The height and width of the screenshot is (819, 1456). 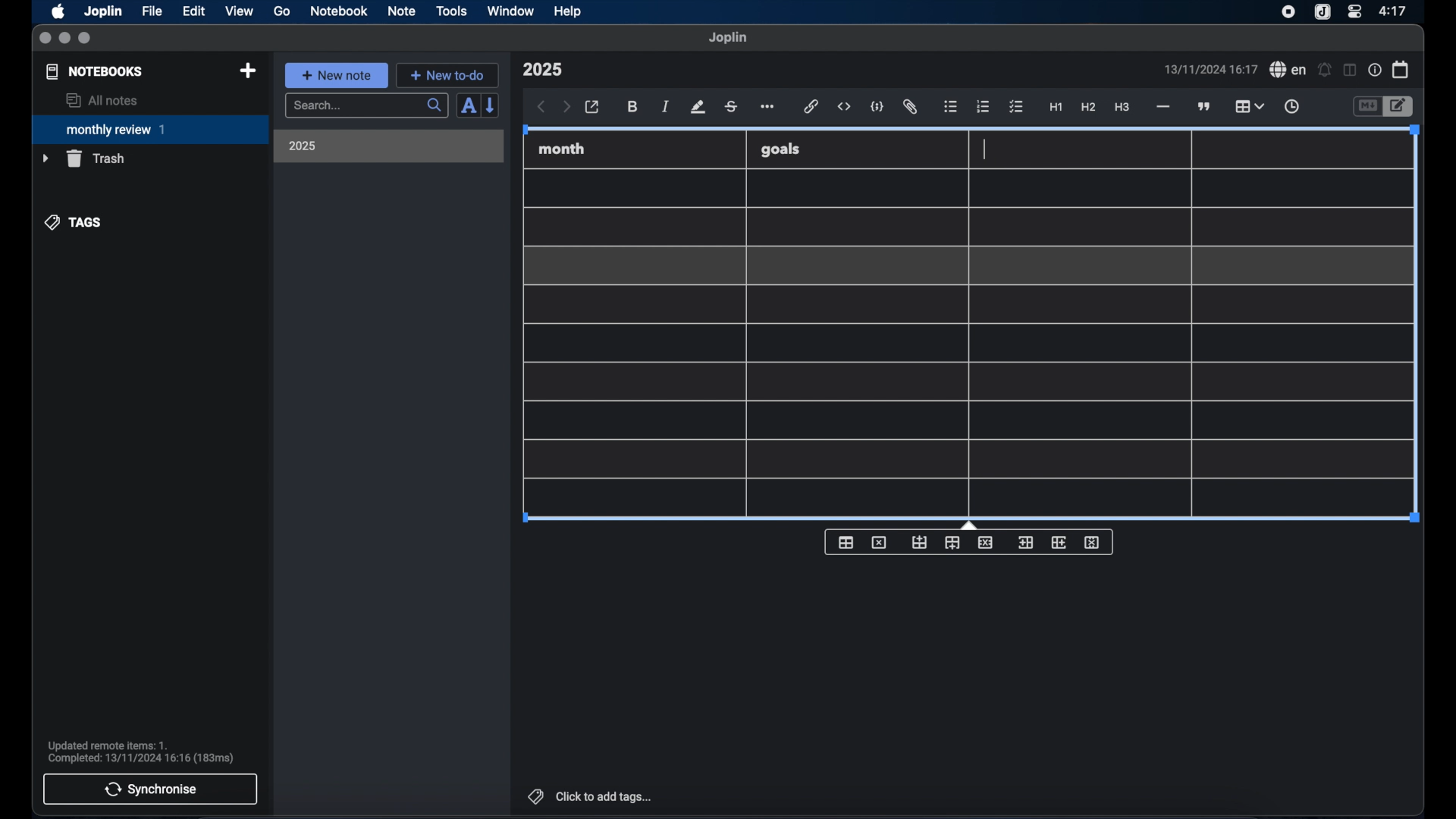 What do you see at coordinates (366, 107) in the screenshot?
I see `search bar` at bounding box center [366, 107].